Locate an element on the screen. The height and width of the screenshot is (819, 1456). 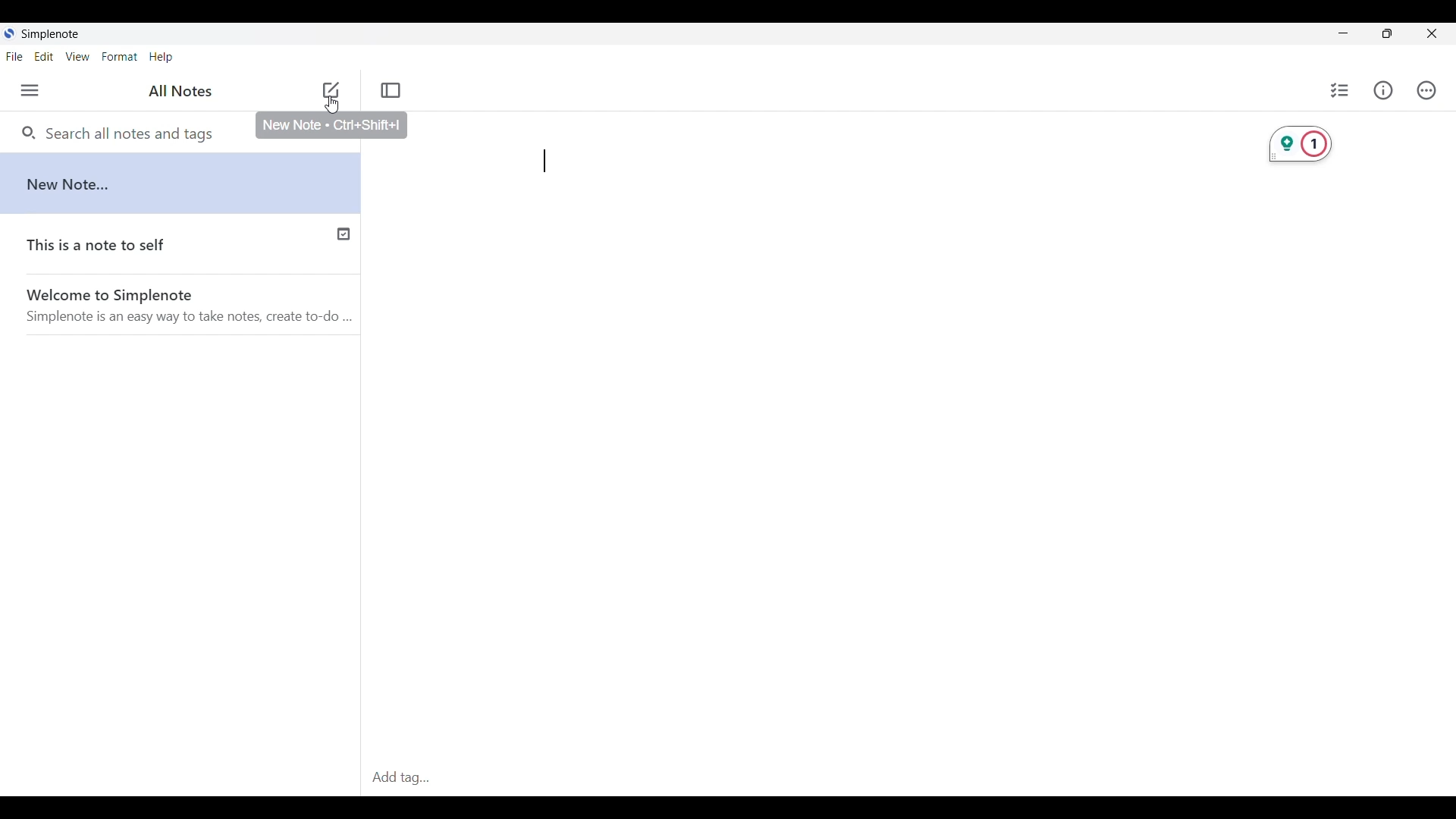
Insert checklist is located at coordinates (1341, 90).